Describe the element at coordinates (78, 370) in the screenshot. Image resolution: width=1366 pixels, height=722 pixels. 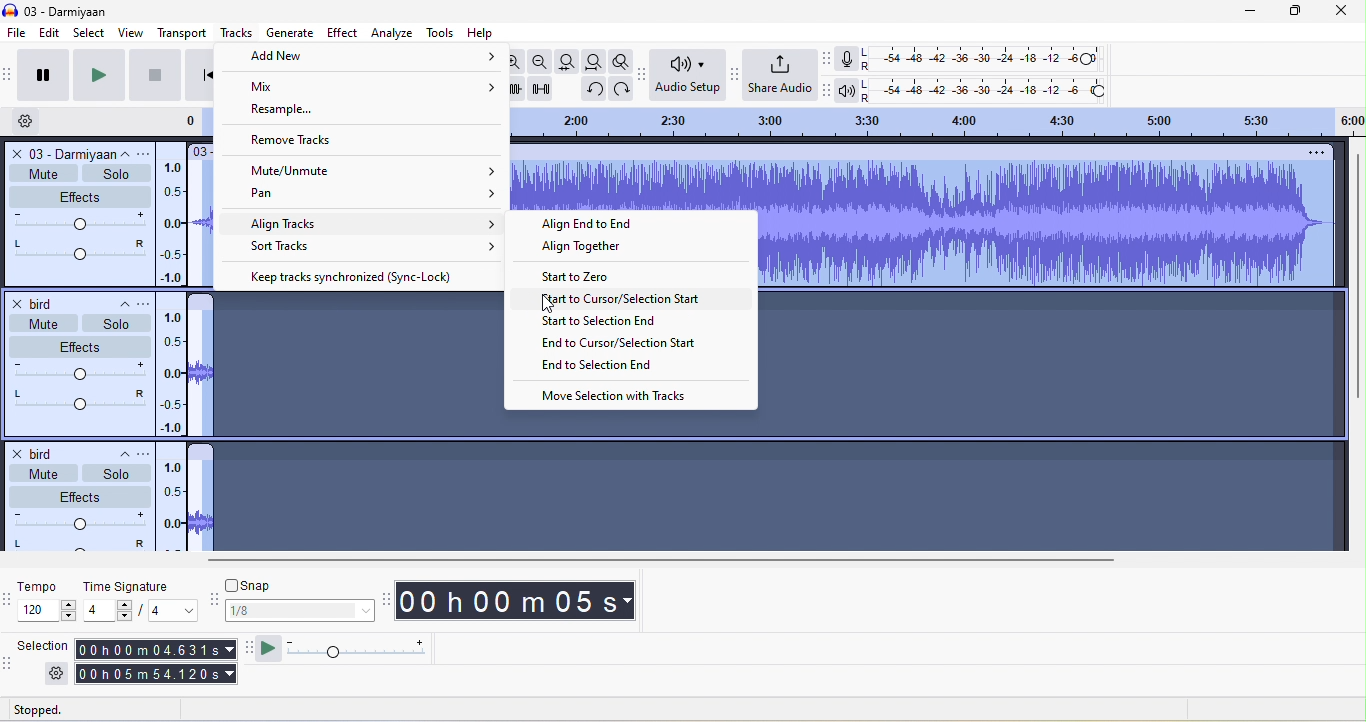
I see `volume` at that location.